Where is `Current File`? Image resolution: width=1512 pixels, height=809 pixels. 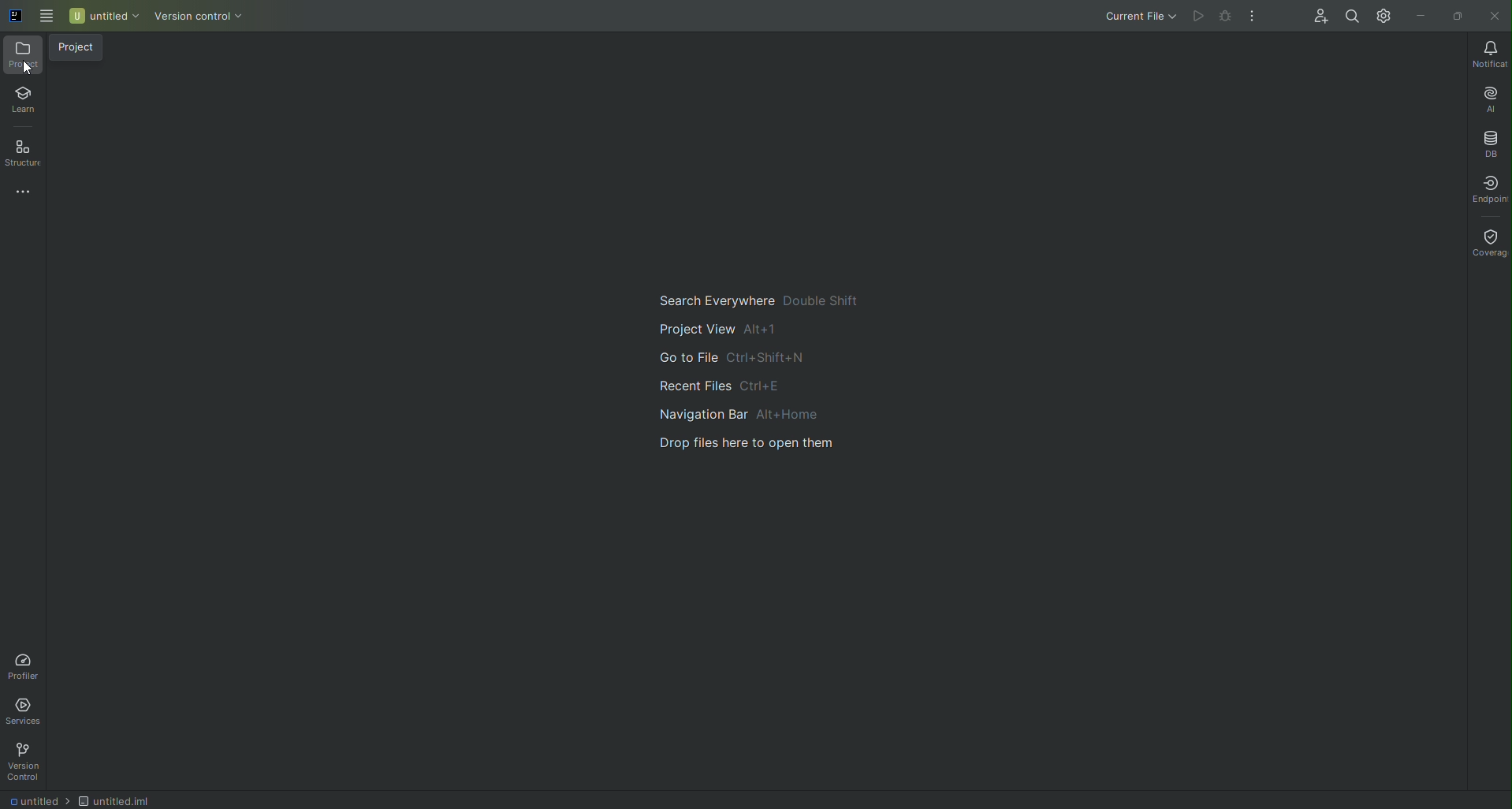
Current File is located at coordinates (1134, 17).